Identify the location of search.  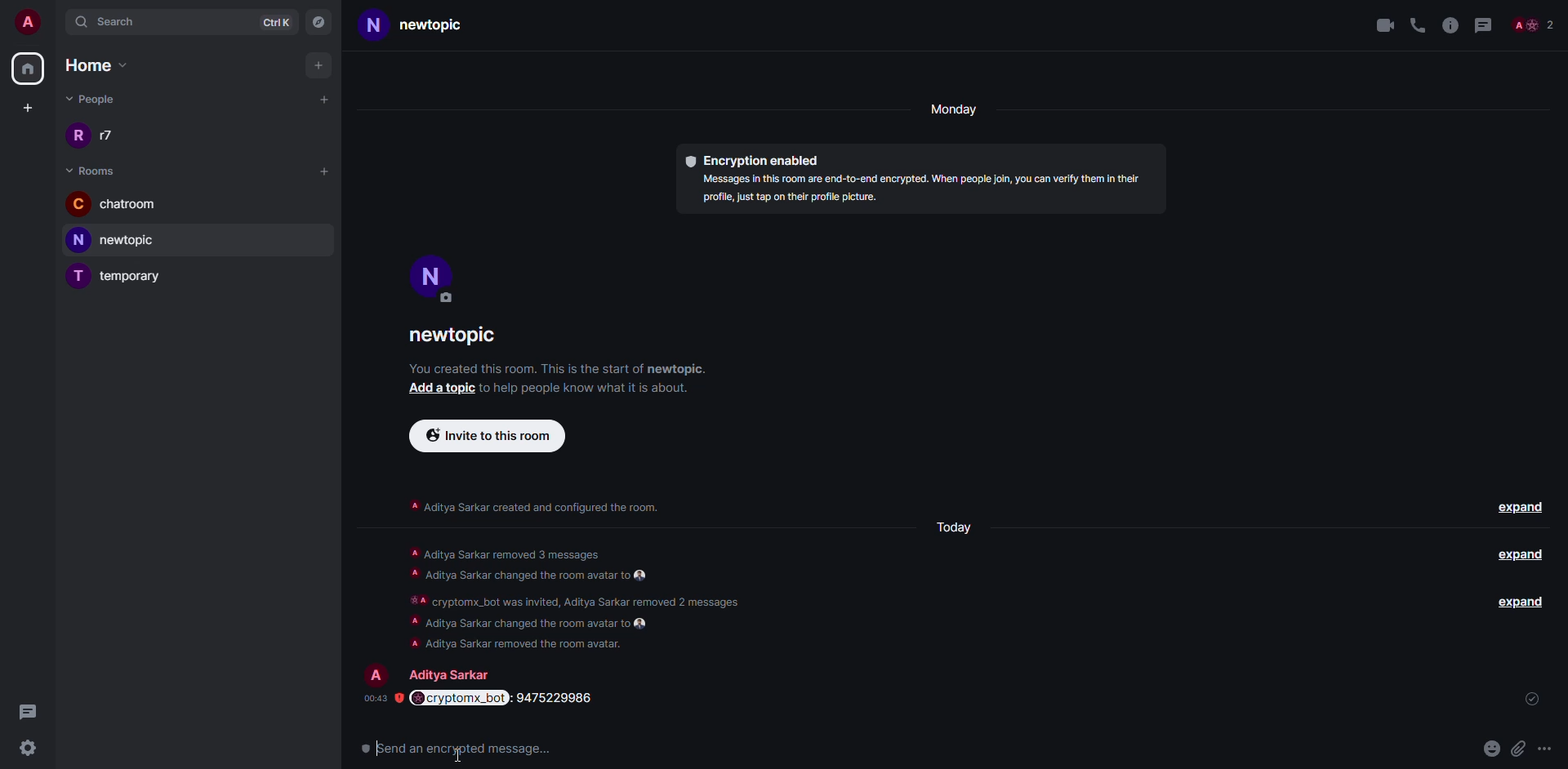
(118, 21).